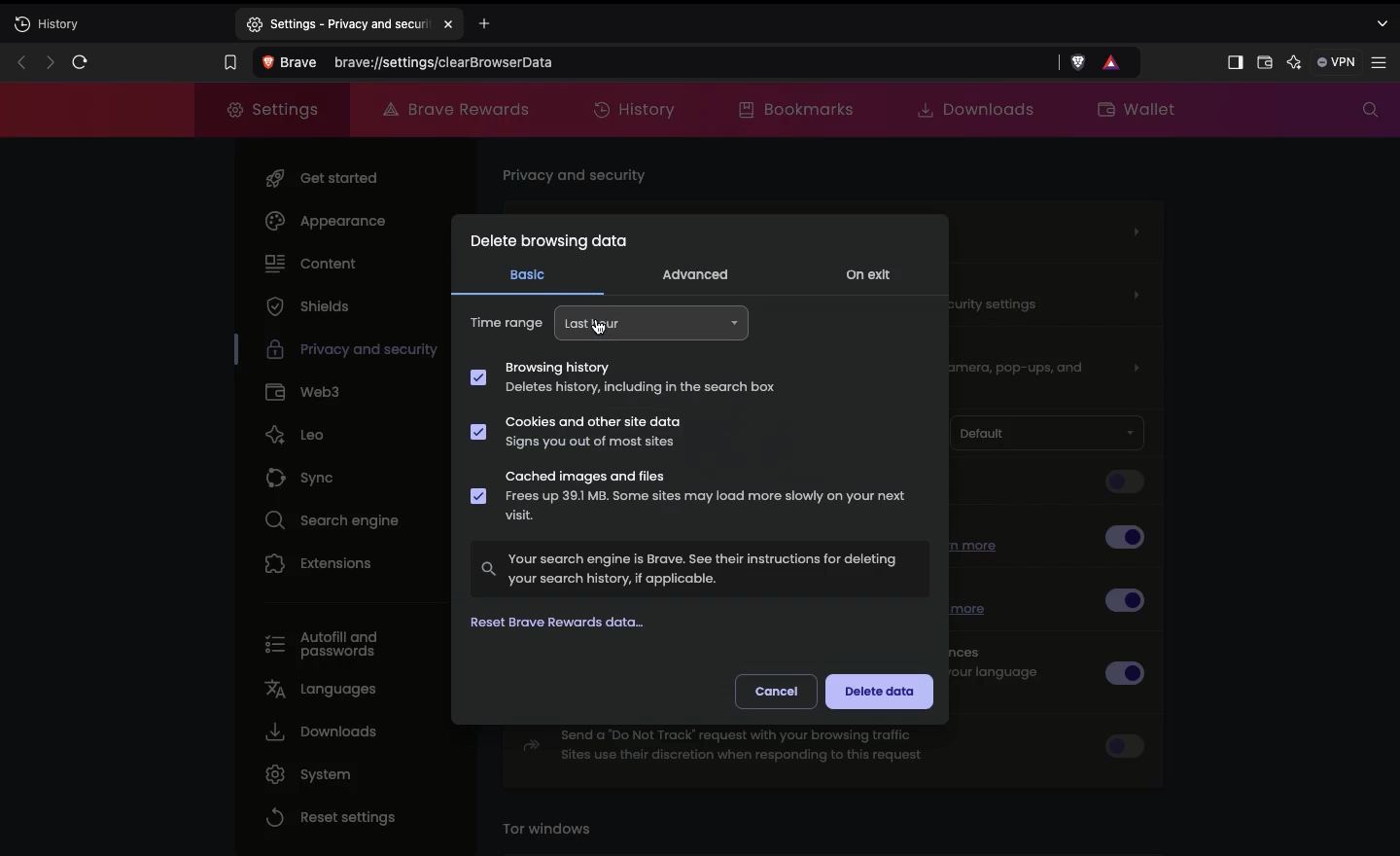 The height and width of the screenshot is (856, 1400). I want to click on brave shield, so click(1080, 62).